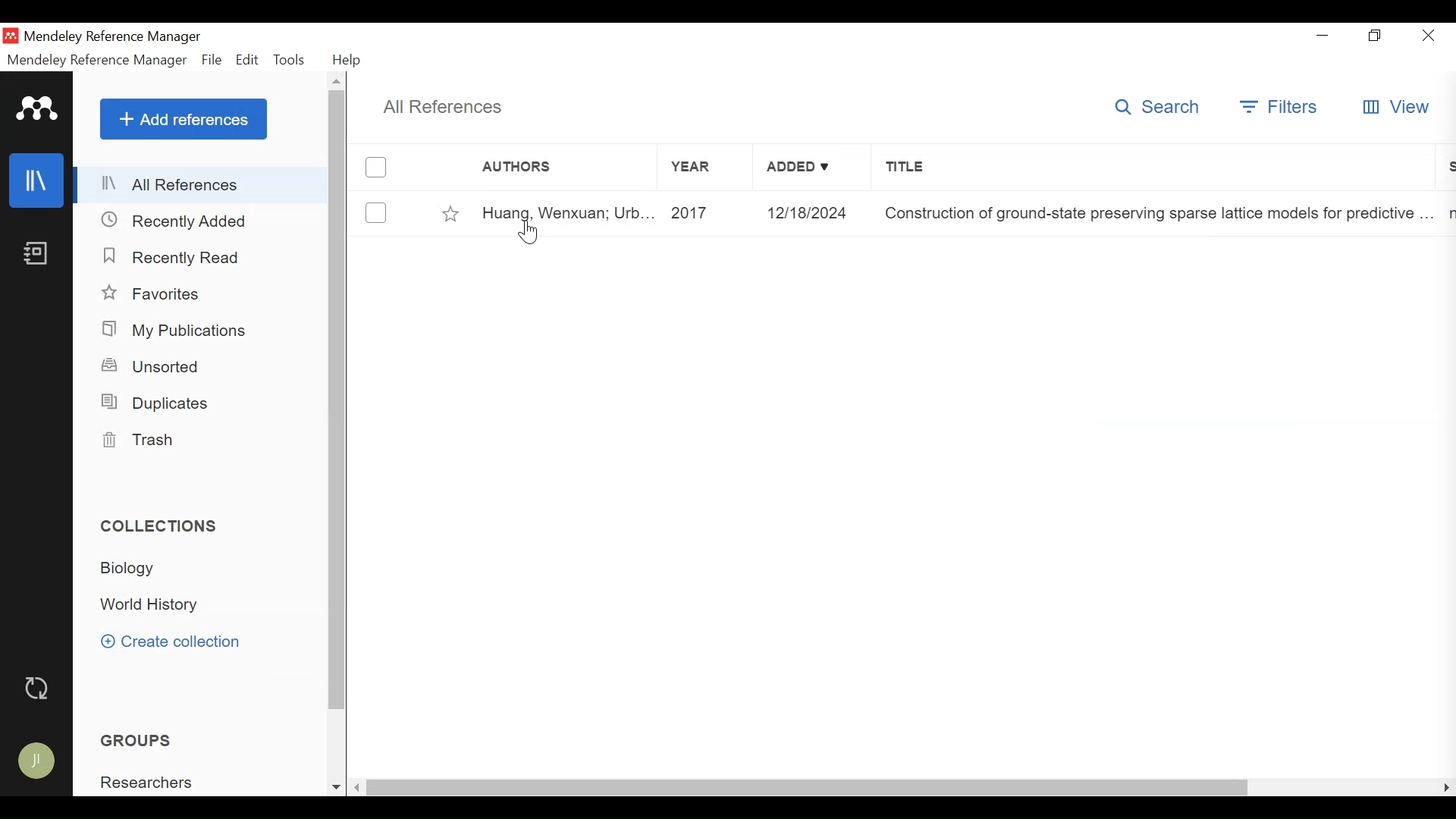 Image resolution: width=1456 pixels, height=819 pixels. What do you see at coordinates (1376, 36) in the screenshot?
I see `Restore` at bounding box center [1376, 36].